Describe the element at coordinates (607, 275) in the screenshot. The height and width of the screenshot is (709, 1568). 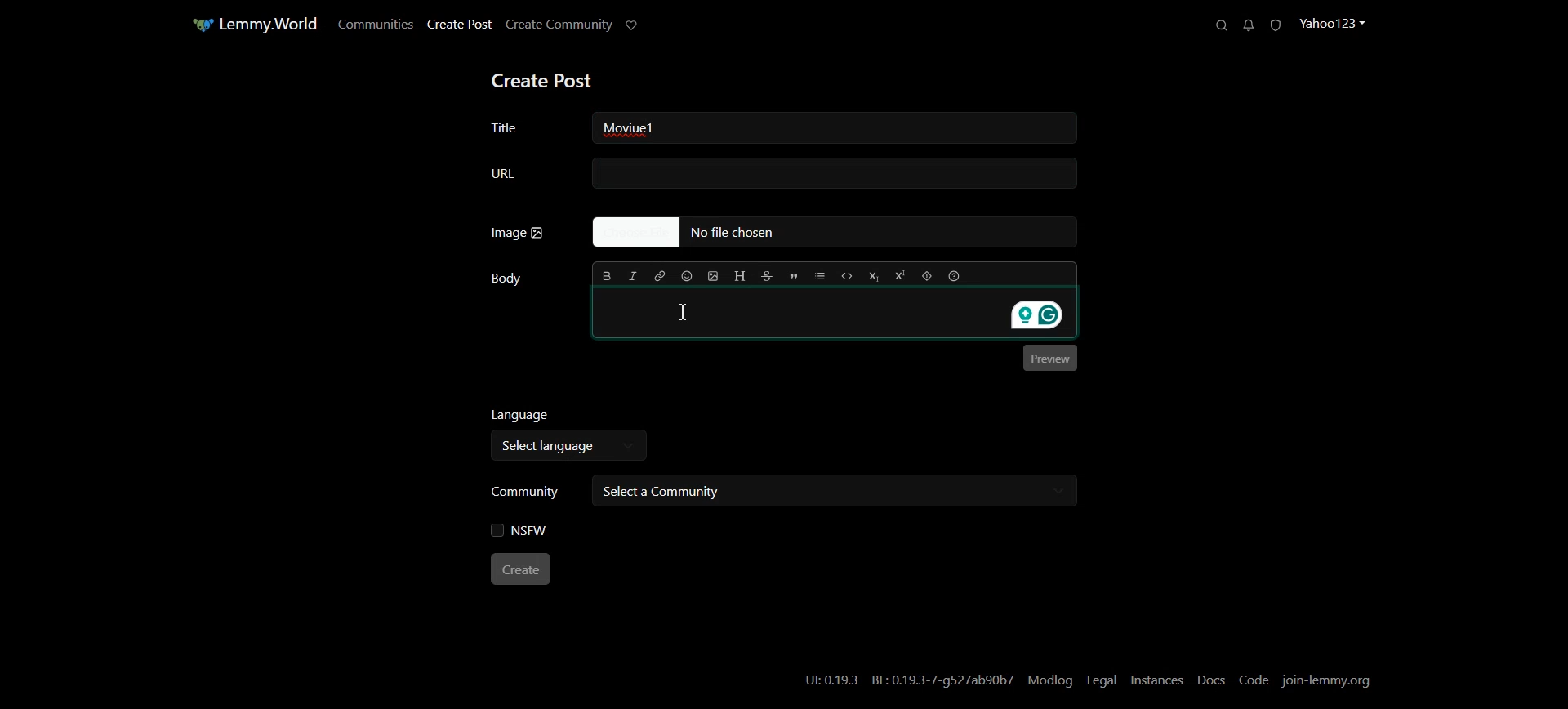
I see `Bold ` at that location.